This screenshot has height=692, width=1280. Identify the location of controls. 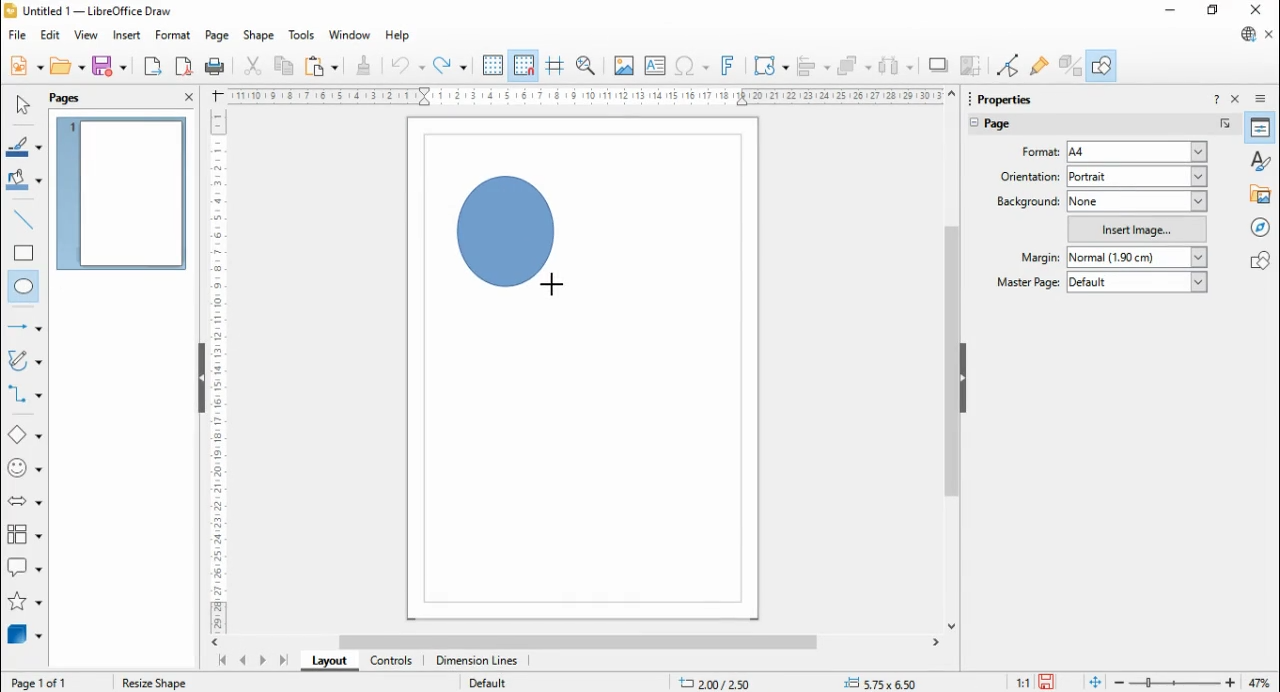
(390, 661).